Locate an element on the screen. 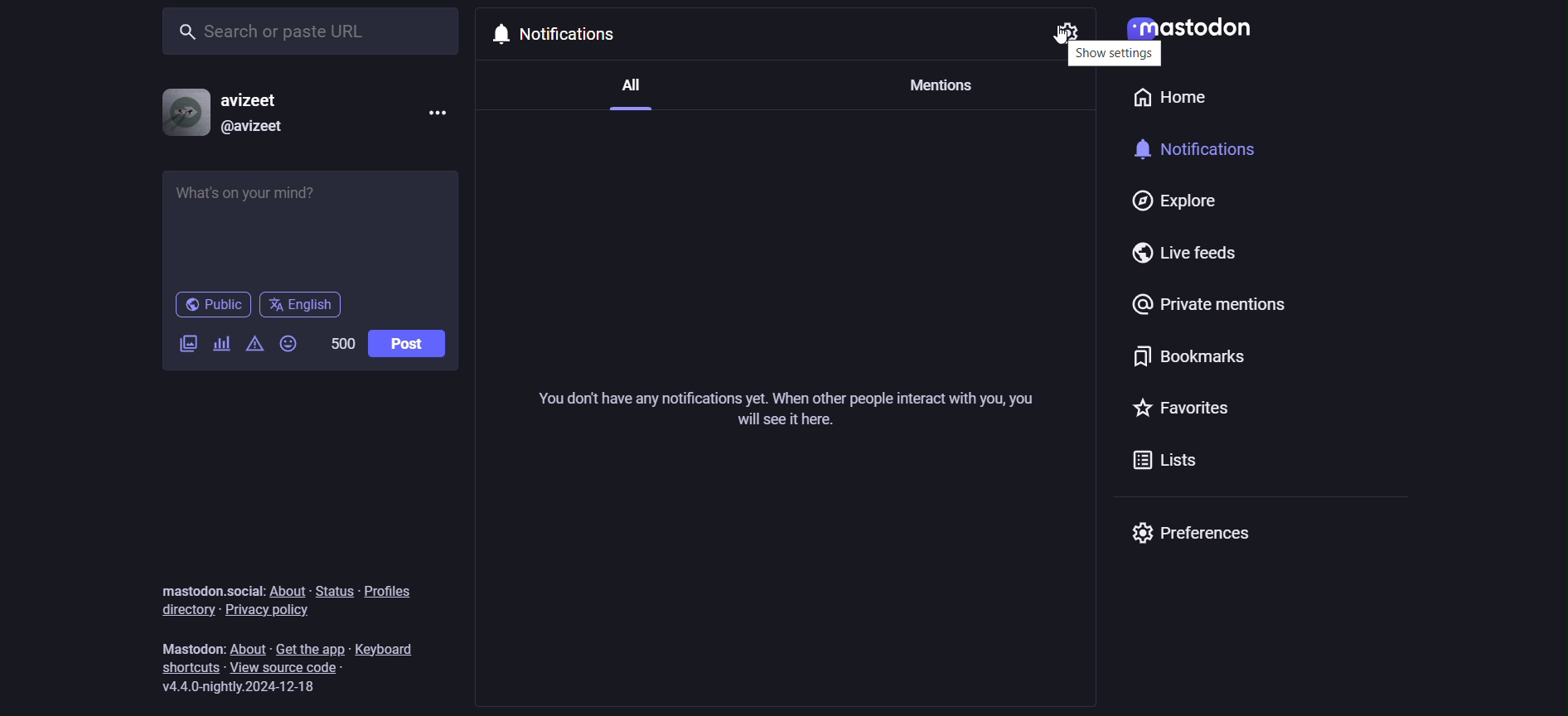  lists is located at coordinates (1160, 464).